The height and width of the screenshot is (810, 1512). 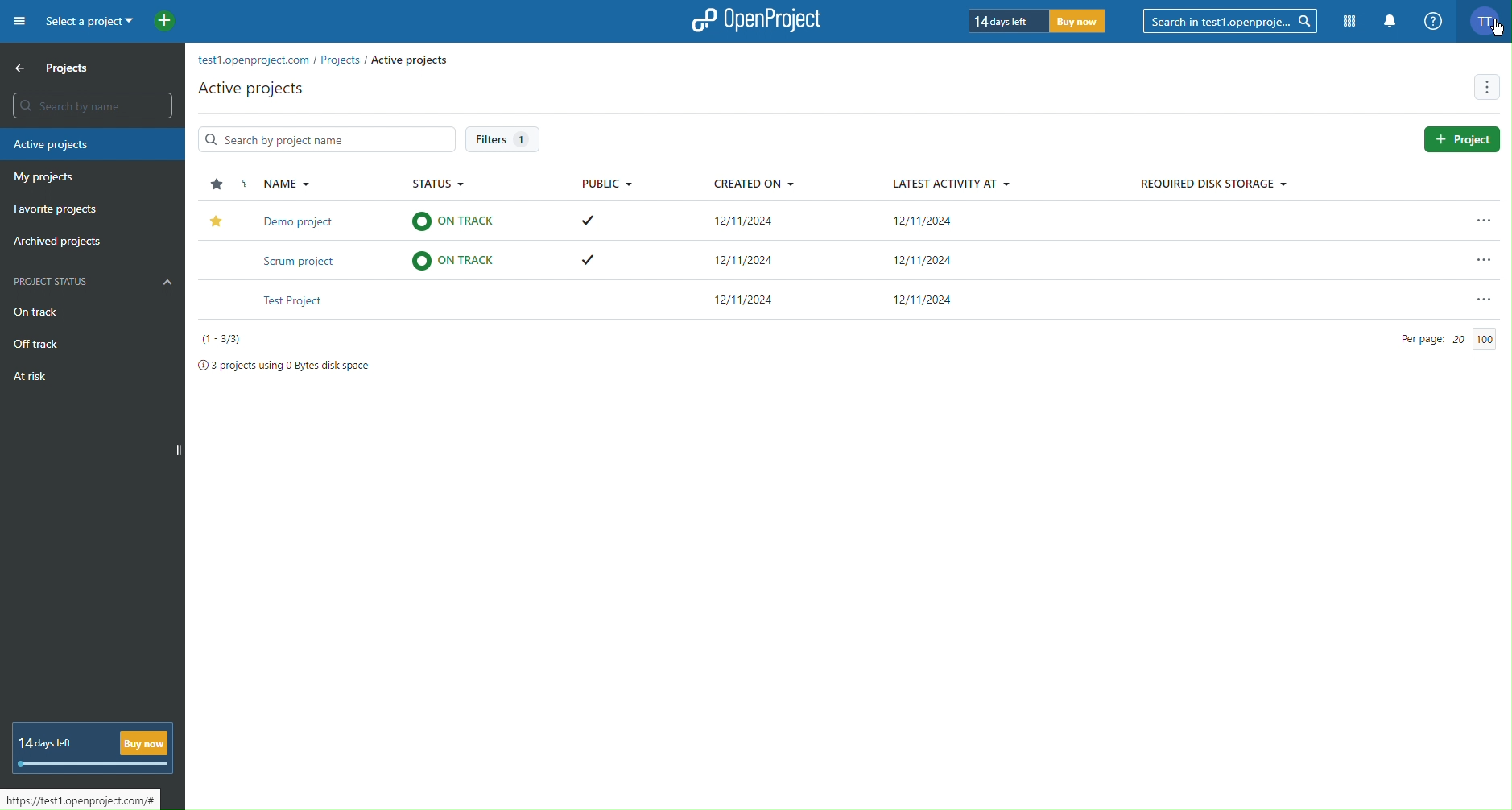 What do you see at coordinates (27, 378) in the screenshot?
I see `At risk` at bounding box center [27, 378].